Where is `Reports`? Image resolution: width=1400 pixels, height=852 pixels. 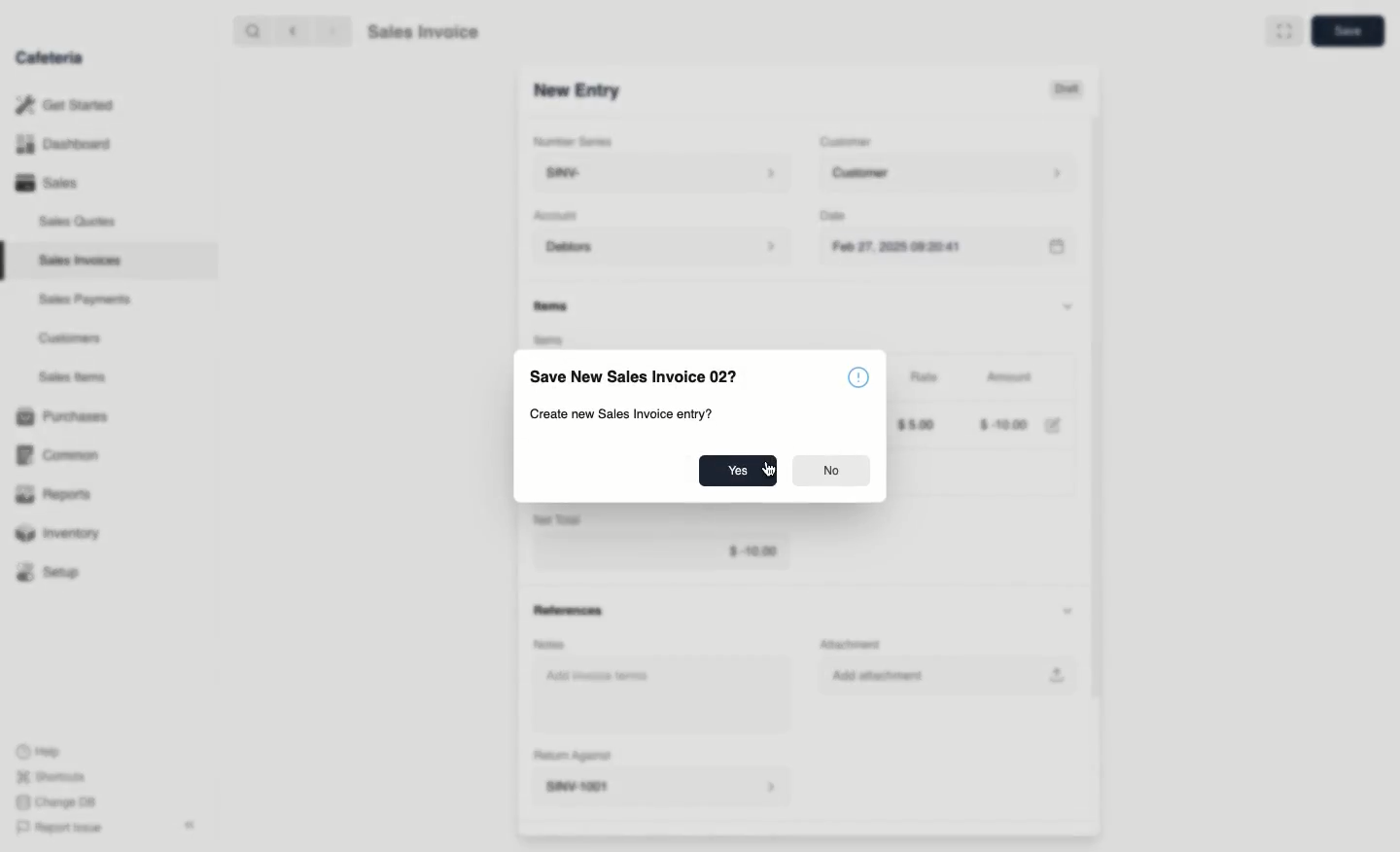
Reports is located at coordinates (53, 492).